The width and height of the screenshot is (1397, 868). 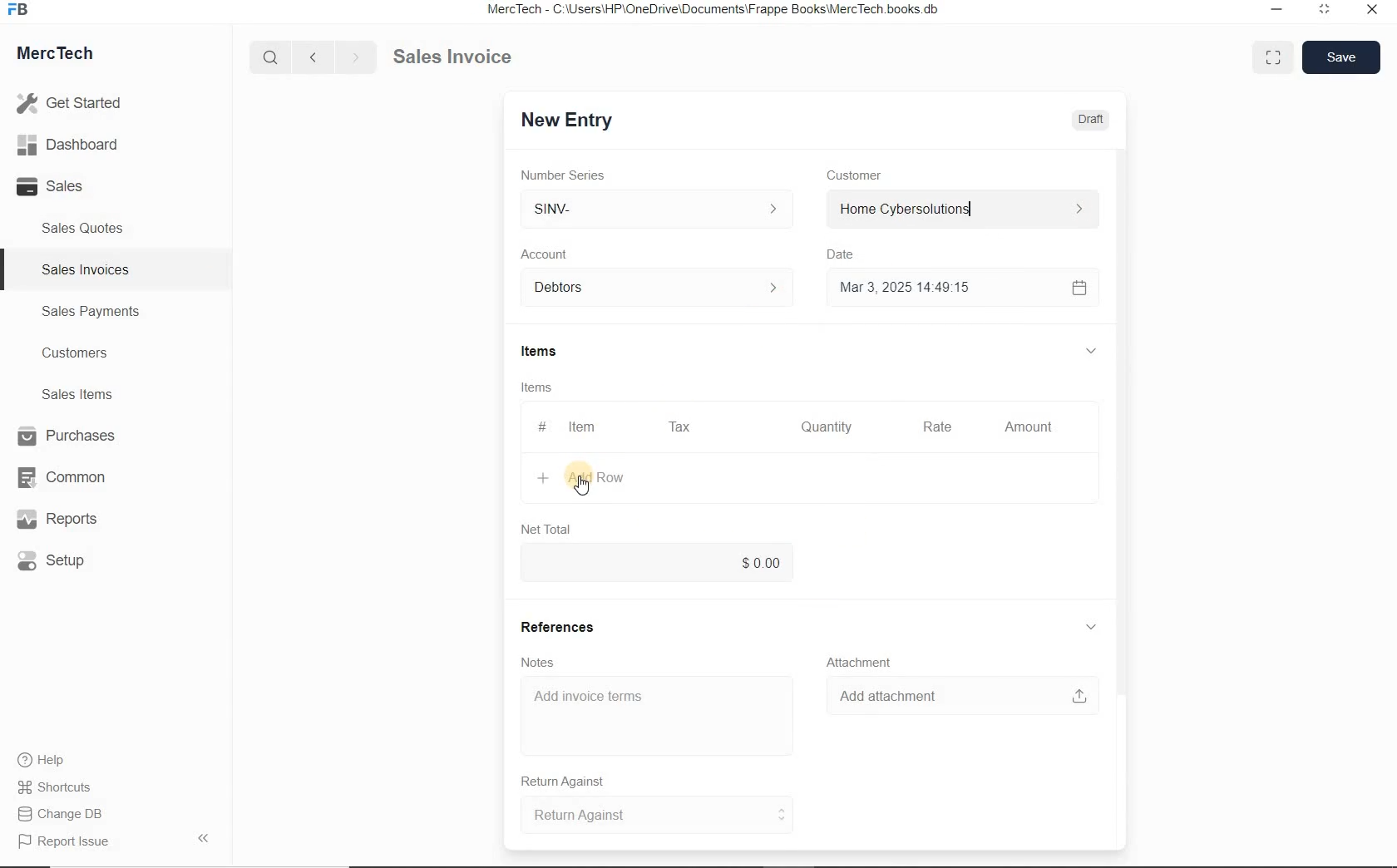 What do you see at coordinates (680, 426) in the screenshot?
I see `Tax` at bounding box center [680, 426].